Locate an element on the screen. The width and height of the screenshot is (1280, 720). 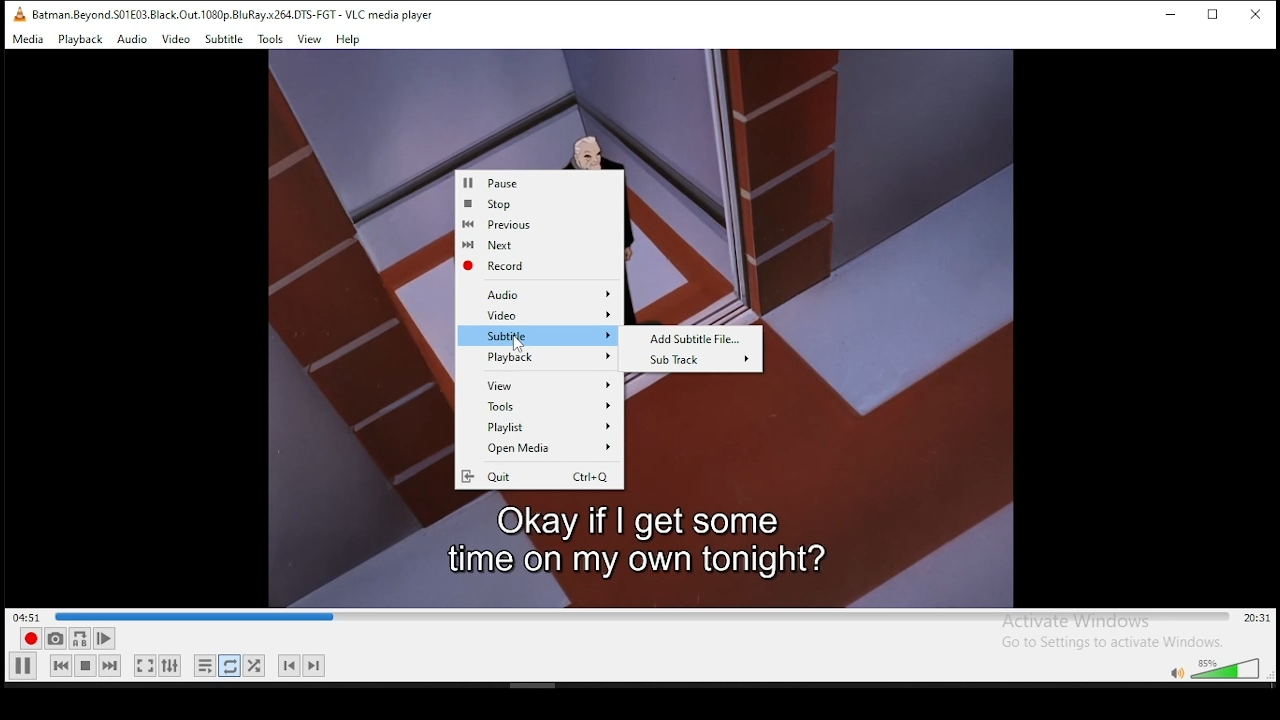
Tools  is located at coordinates (548, 408).